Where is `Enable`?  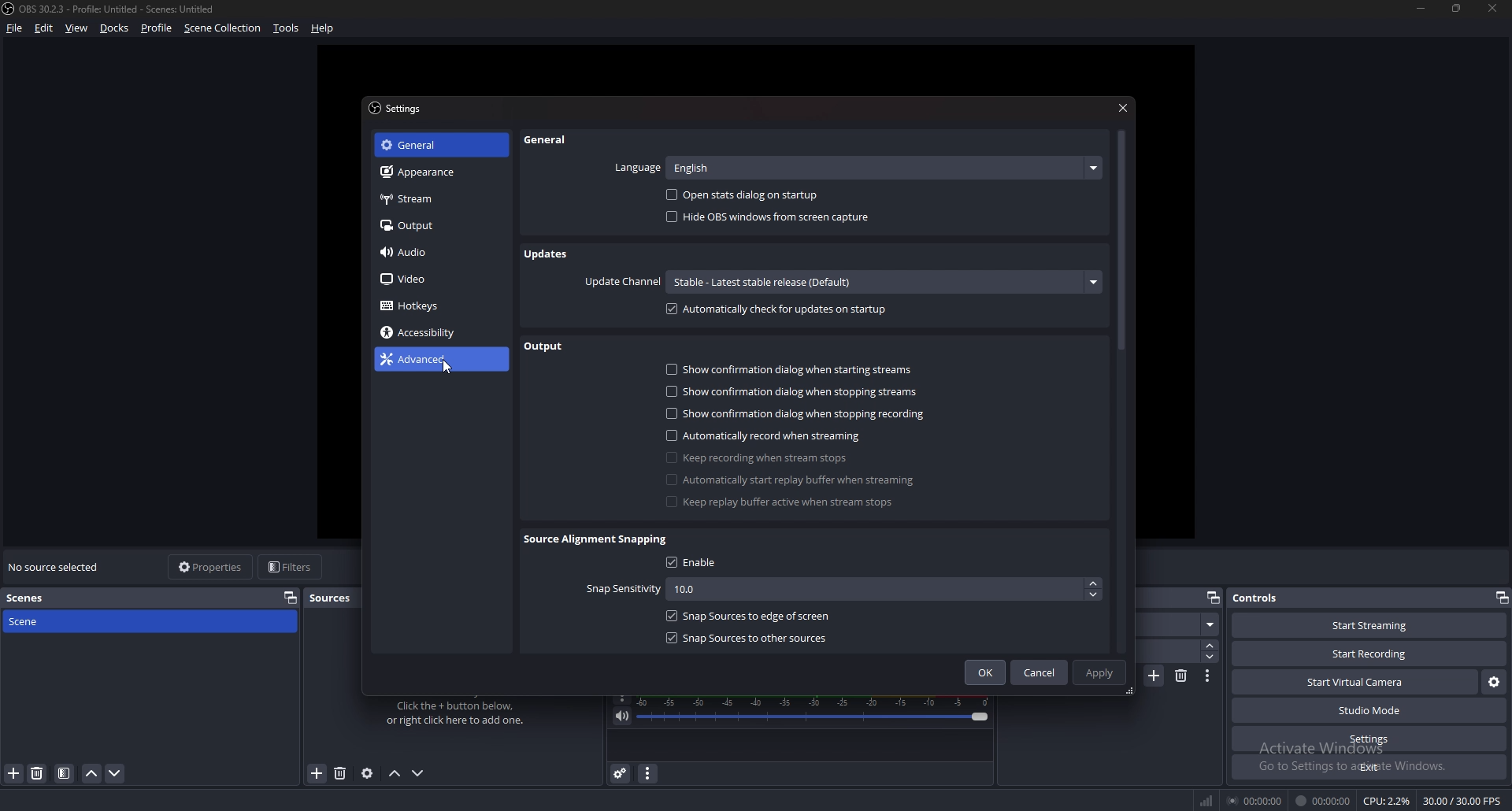 Enable is located at coordinates (697, 562).